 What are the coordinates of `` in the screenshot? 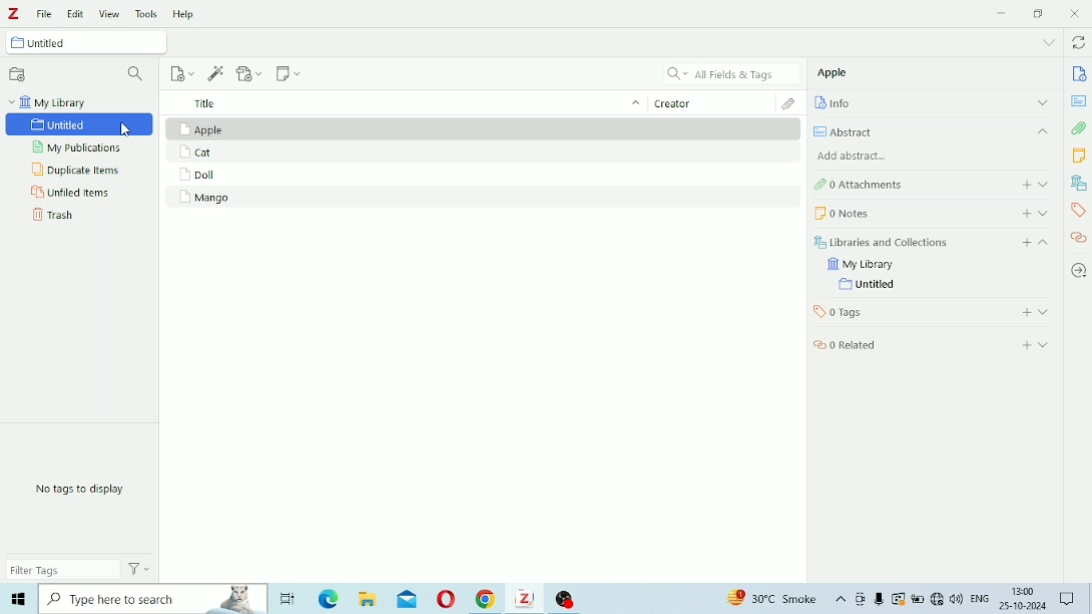 It's located at (766, 597).